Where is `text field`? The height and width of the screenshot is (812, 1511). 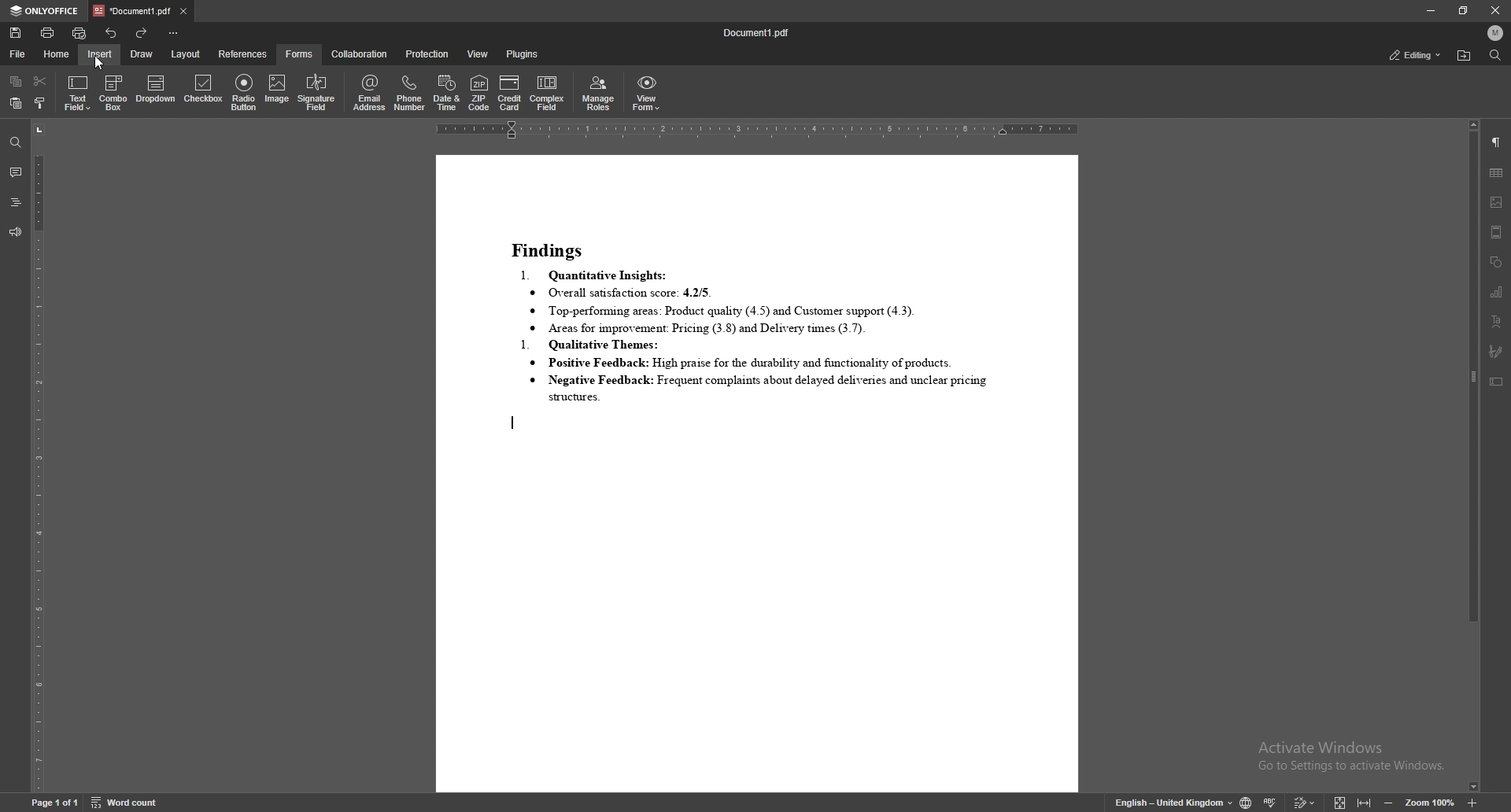 text field is located at coordinates (78, 92).